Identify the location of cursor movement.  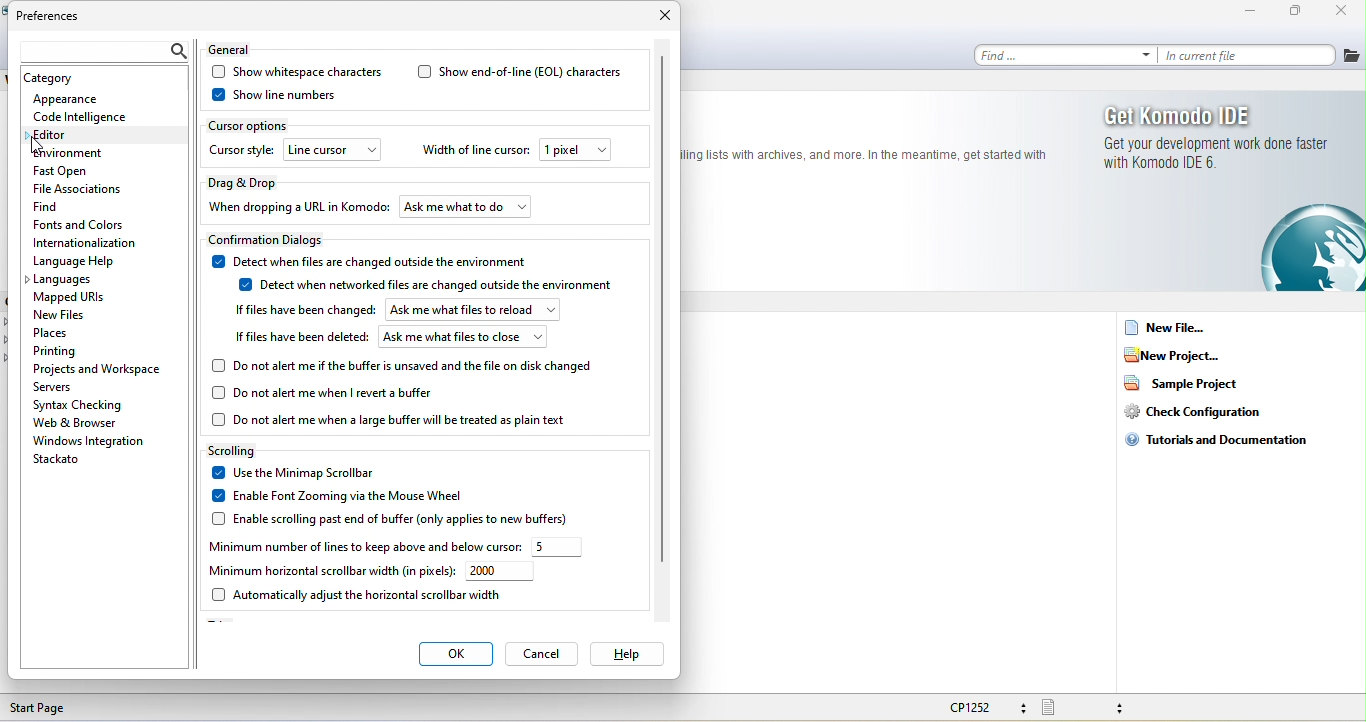
(37, 143).